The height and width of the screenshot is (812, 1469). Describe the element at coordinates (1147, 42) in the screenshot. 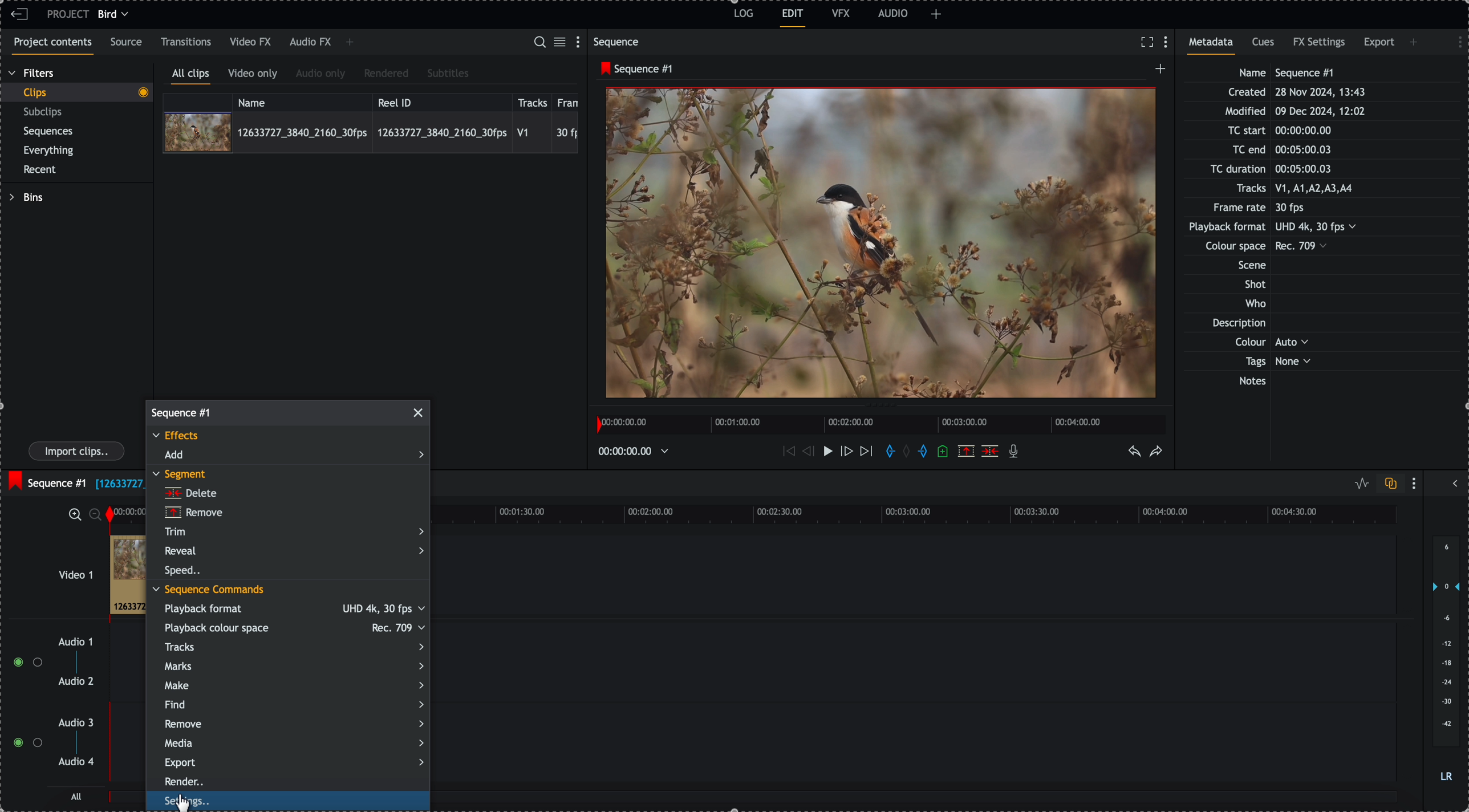

I see `fullscreen` at that location.